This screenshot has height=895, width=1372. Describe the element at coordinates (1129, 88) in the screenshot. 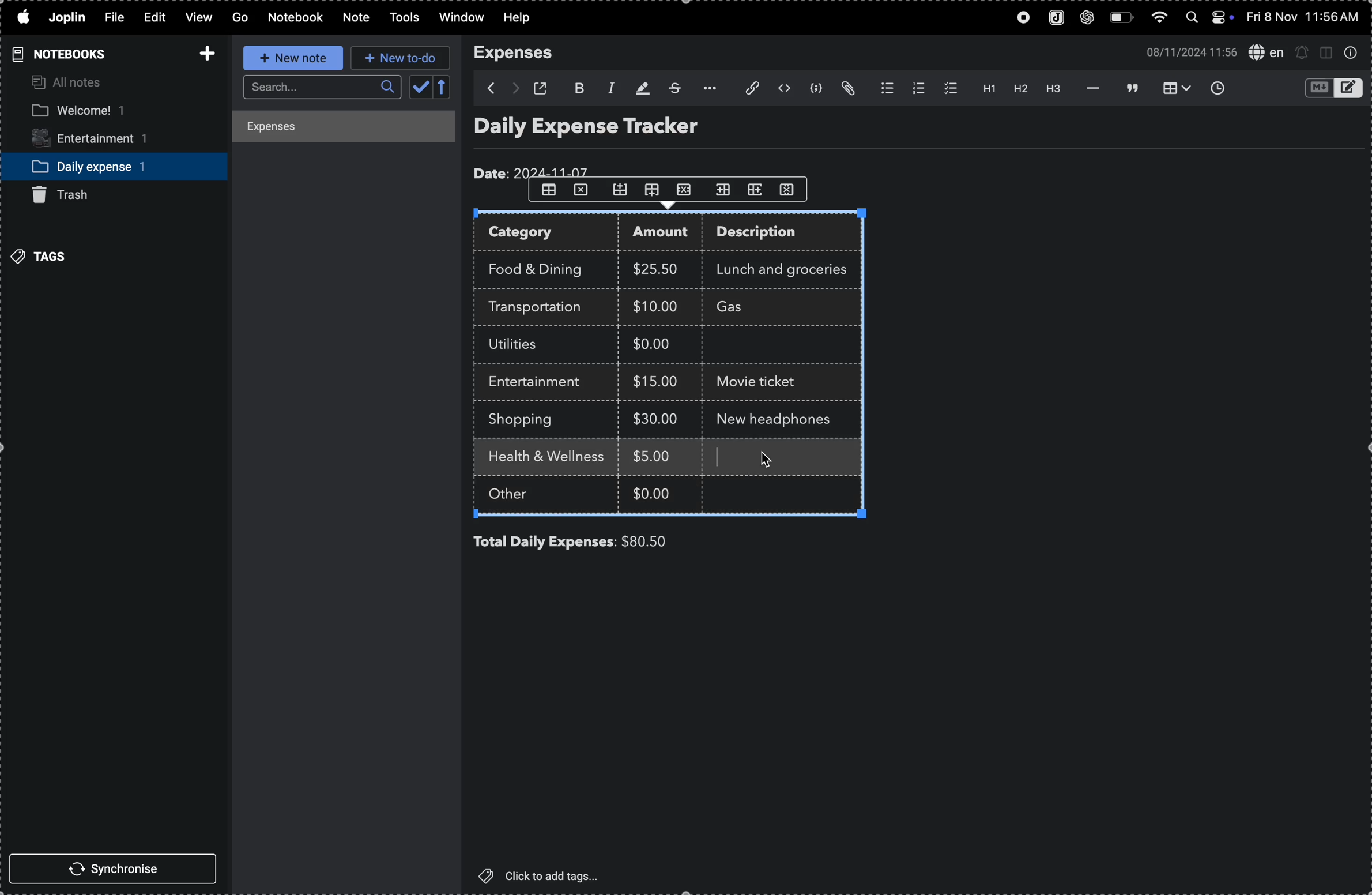

I see `blockquote` at that location.